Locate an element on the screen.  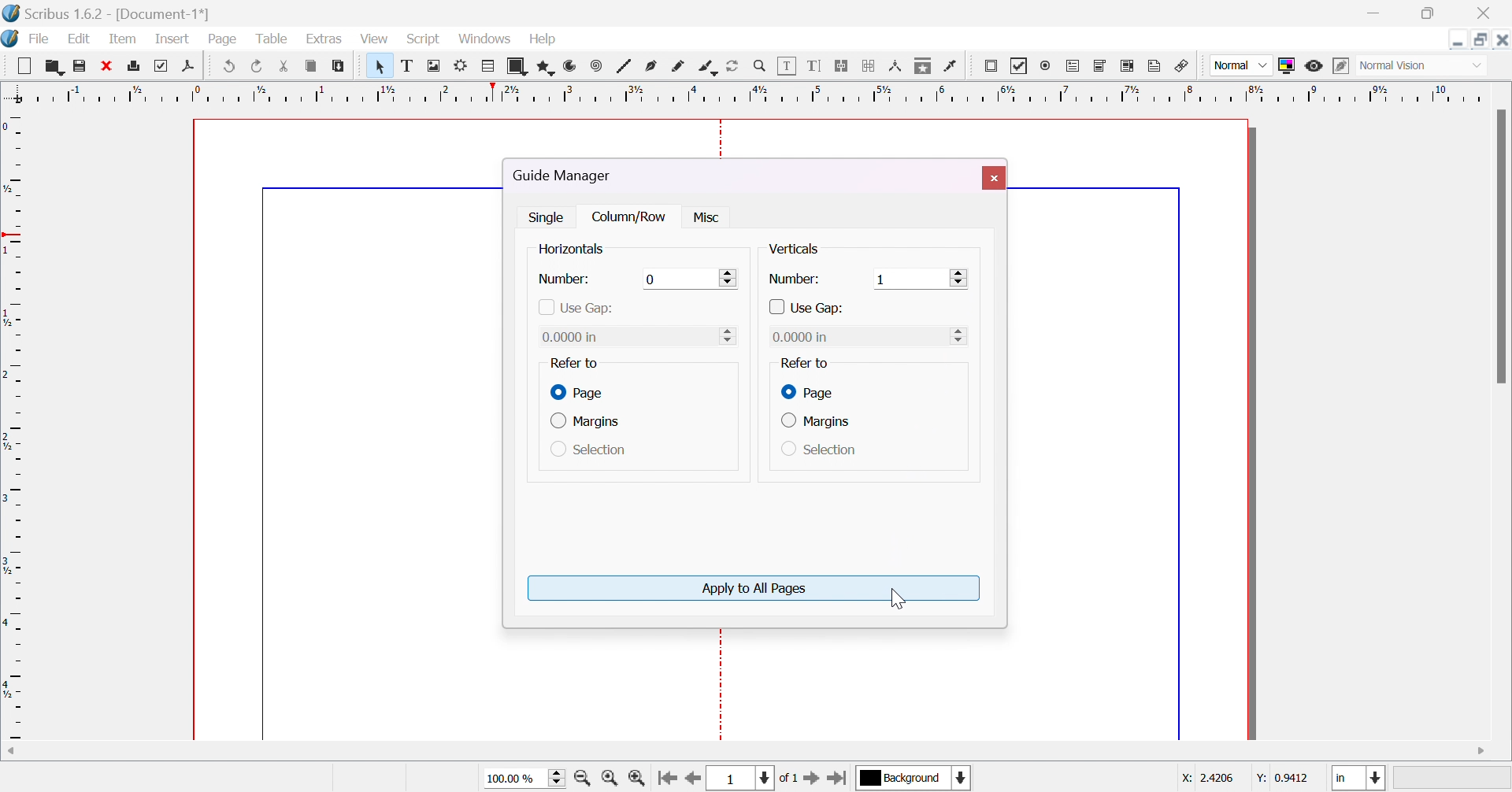
text frame is located at coordinates (407, 67).